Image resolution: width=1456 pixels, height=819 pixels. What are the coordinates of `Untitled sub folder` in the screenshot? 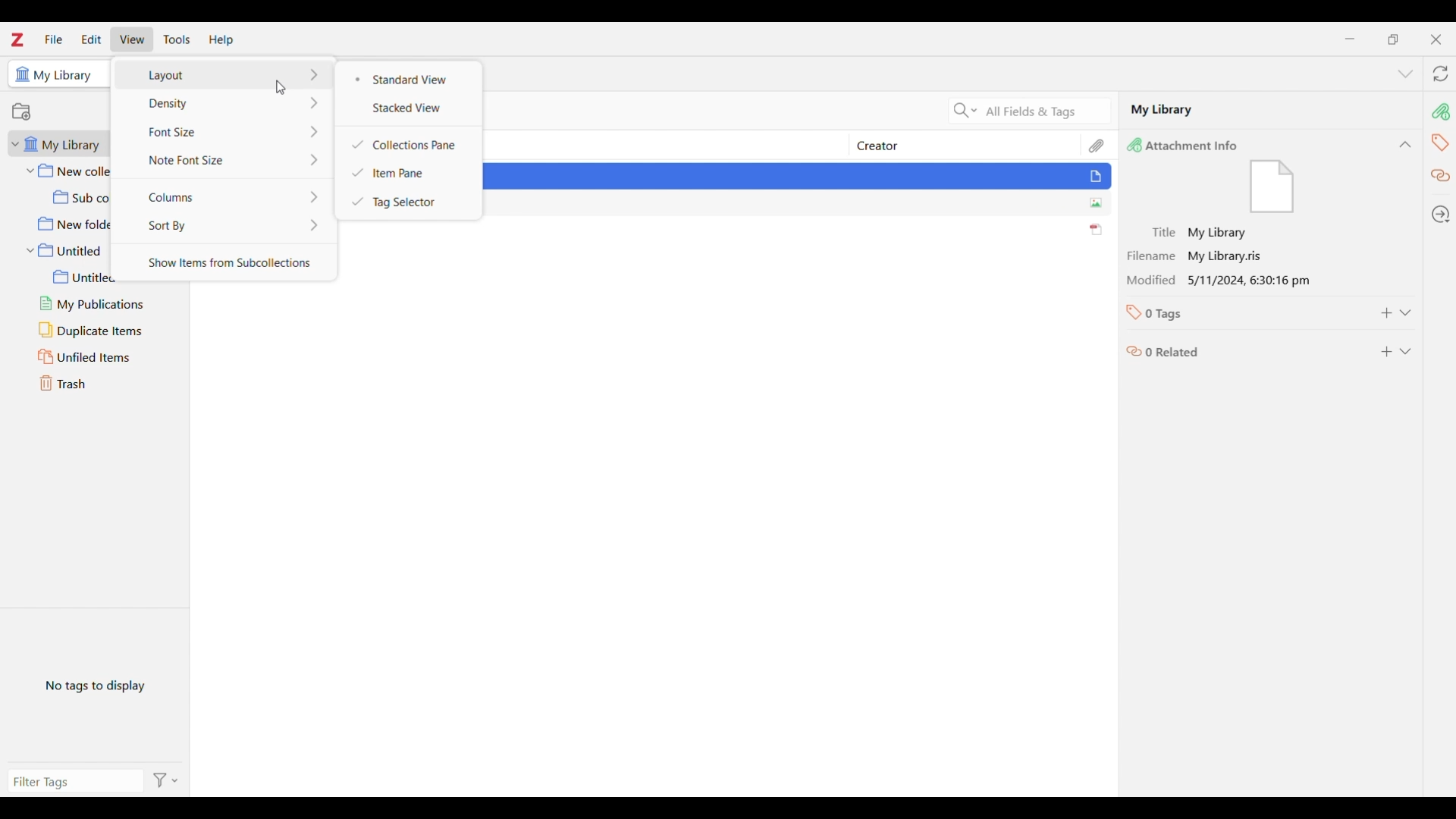 It's located at (103, 277).